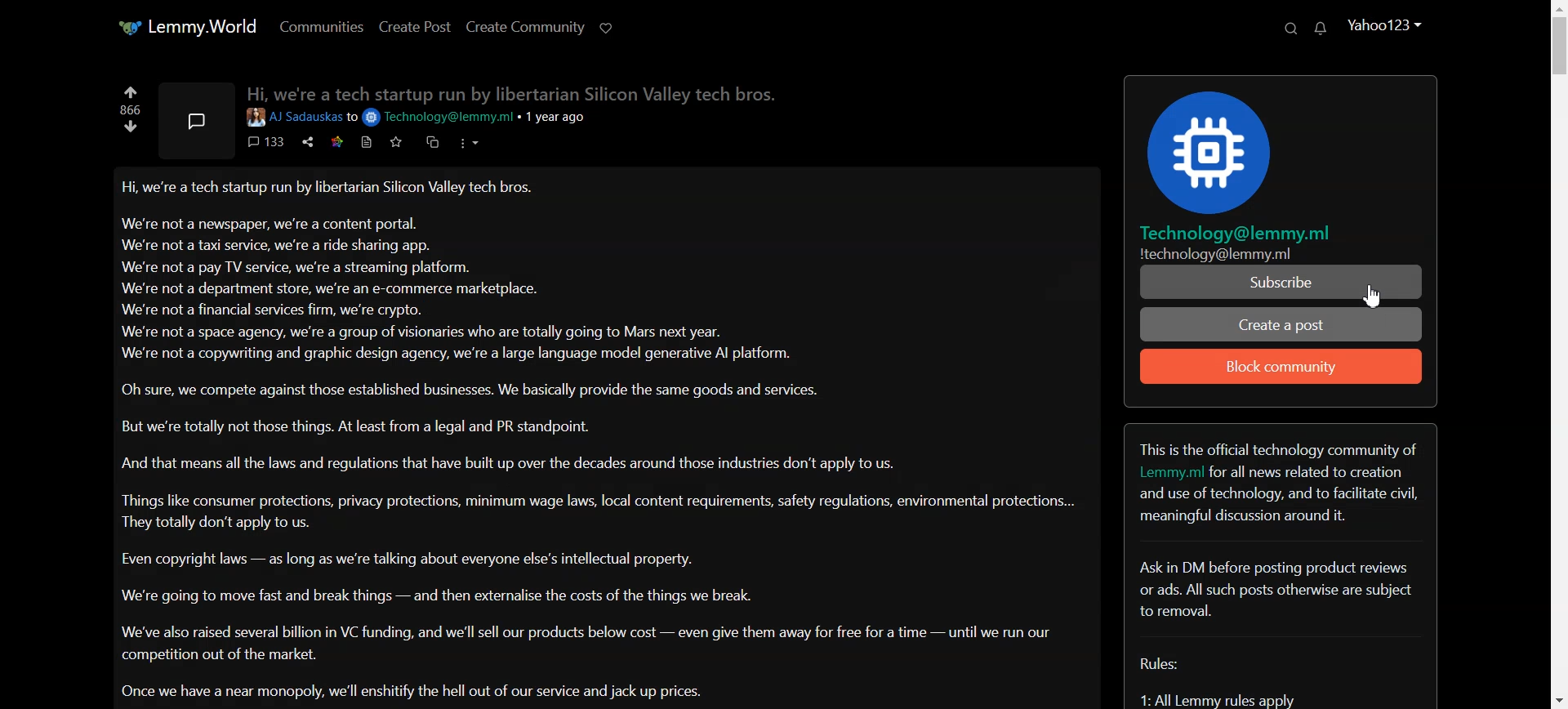  Describe the element at coordinates (421, 28) in the screenshot. I see `Create Post` at that location.